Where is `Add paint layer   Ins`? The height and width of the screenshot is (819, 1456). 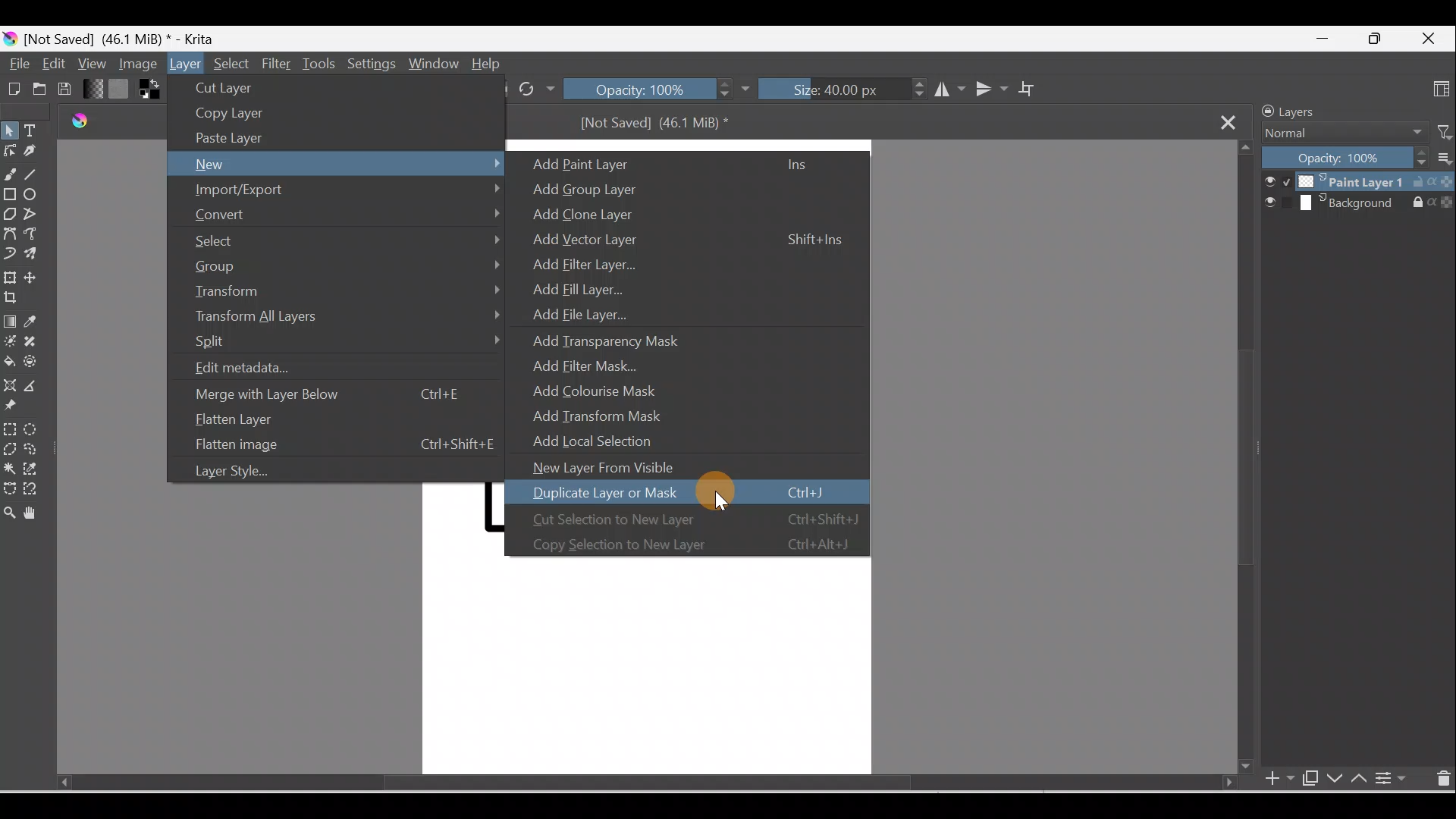 Add paint layer   Ins is located at coordinates (679, 163).